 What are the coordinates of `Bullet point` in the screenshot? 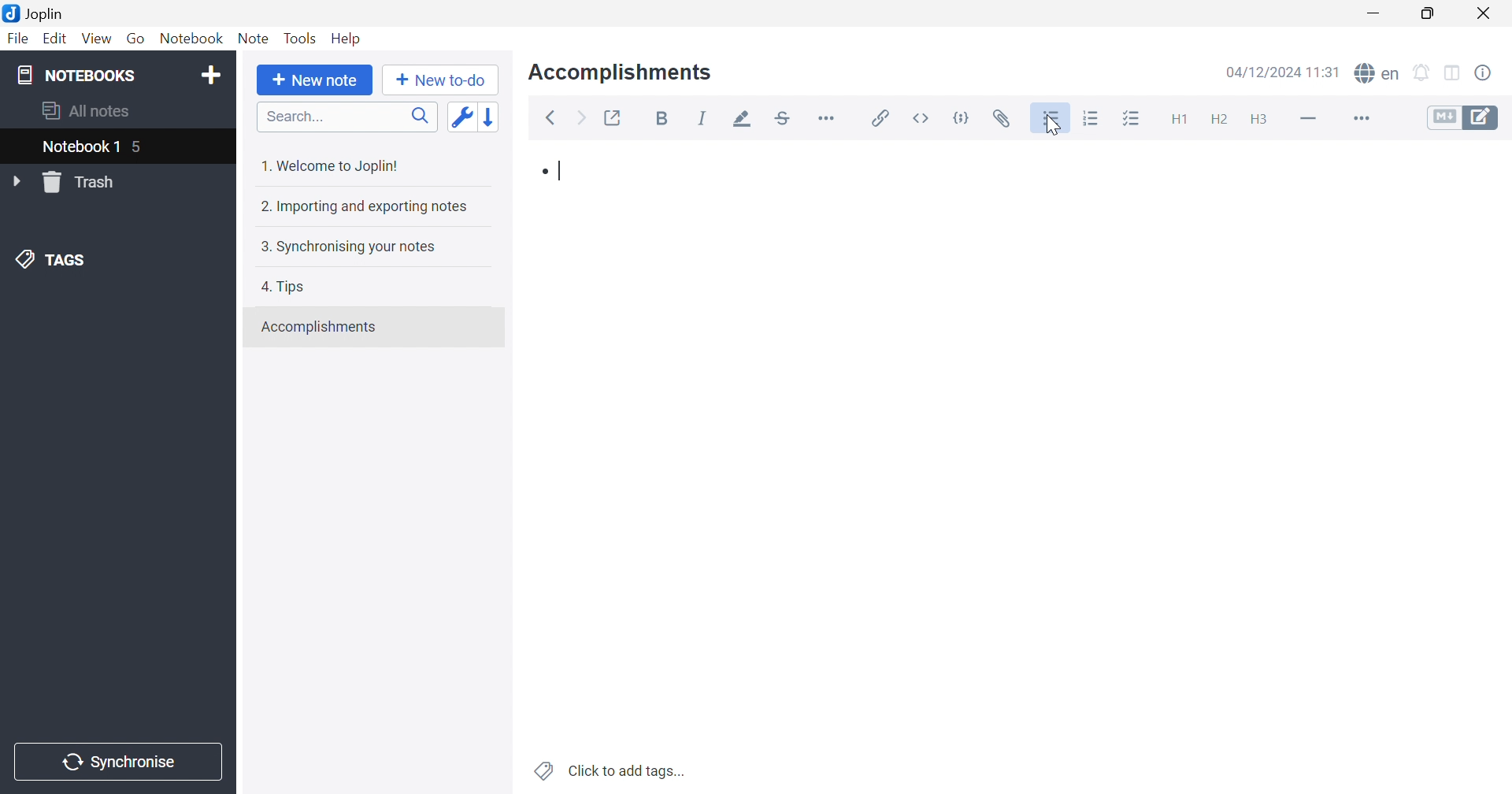 It's located at (541, 173).